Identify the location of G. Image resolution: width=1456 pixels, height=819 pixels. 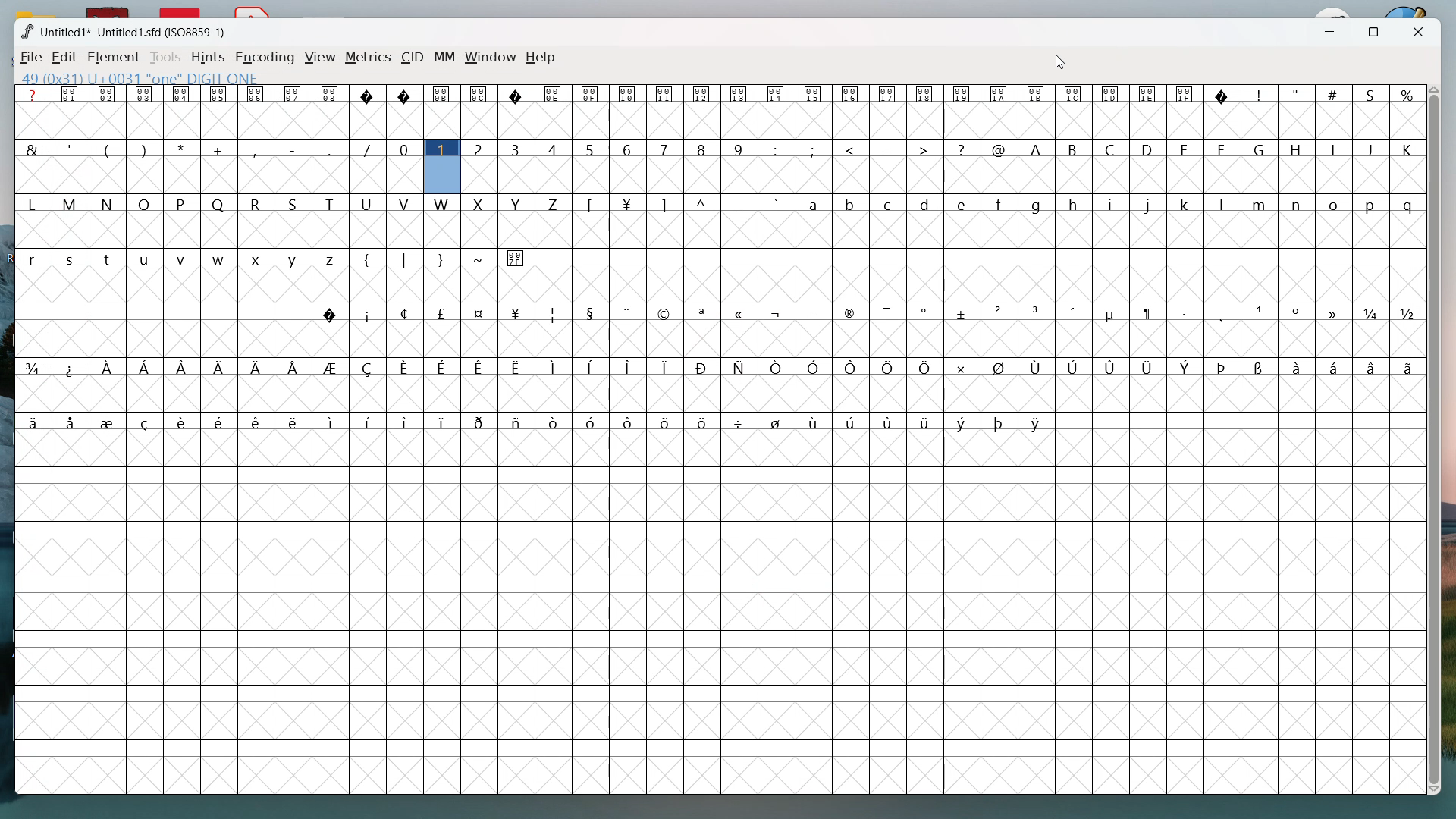
(1262, 149).